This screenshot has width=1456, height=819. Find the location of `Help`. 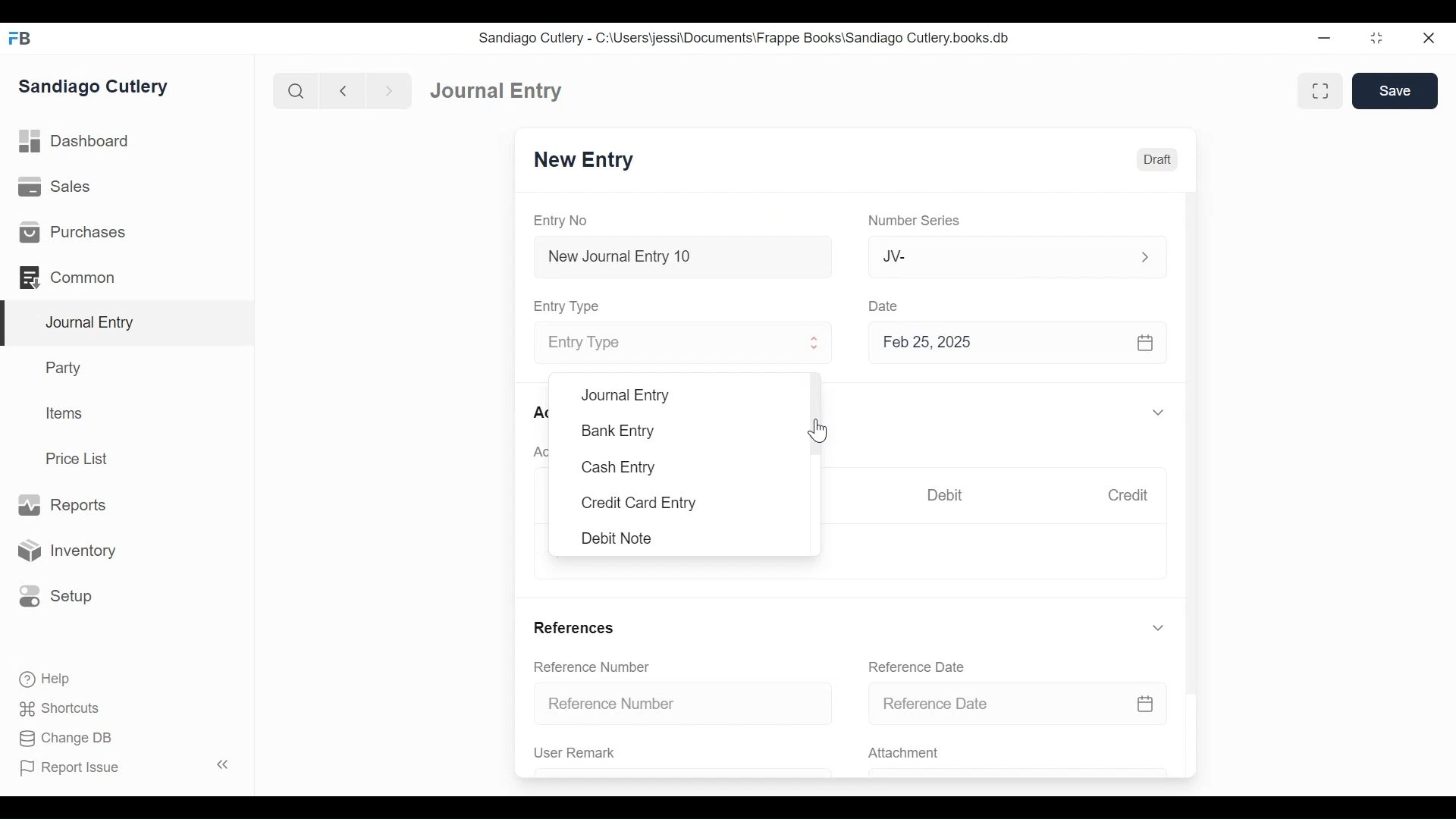

Help is located at coordinates (42, 677).